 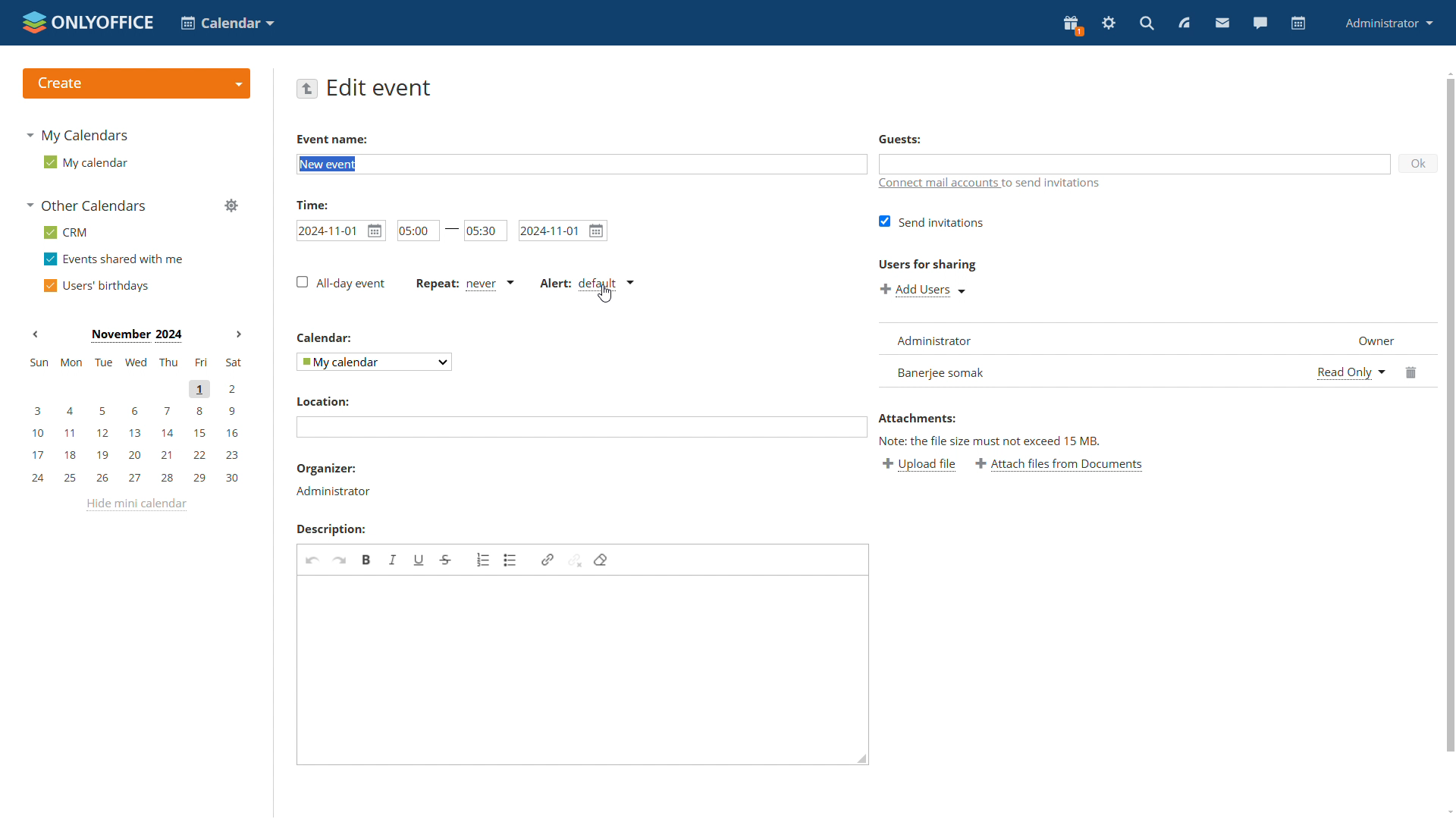 What do you see at coordinates (463, 285) in the screenshot?
I see `event repetetition` at bounding box center [463, 285].